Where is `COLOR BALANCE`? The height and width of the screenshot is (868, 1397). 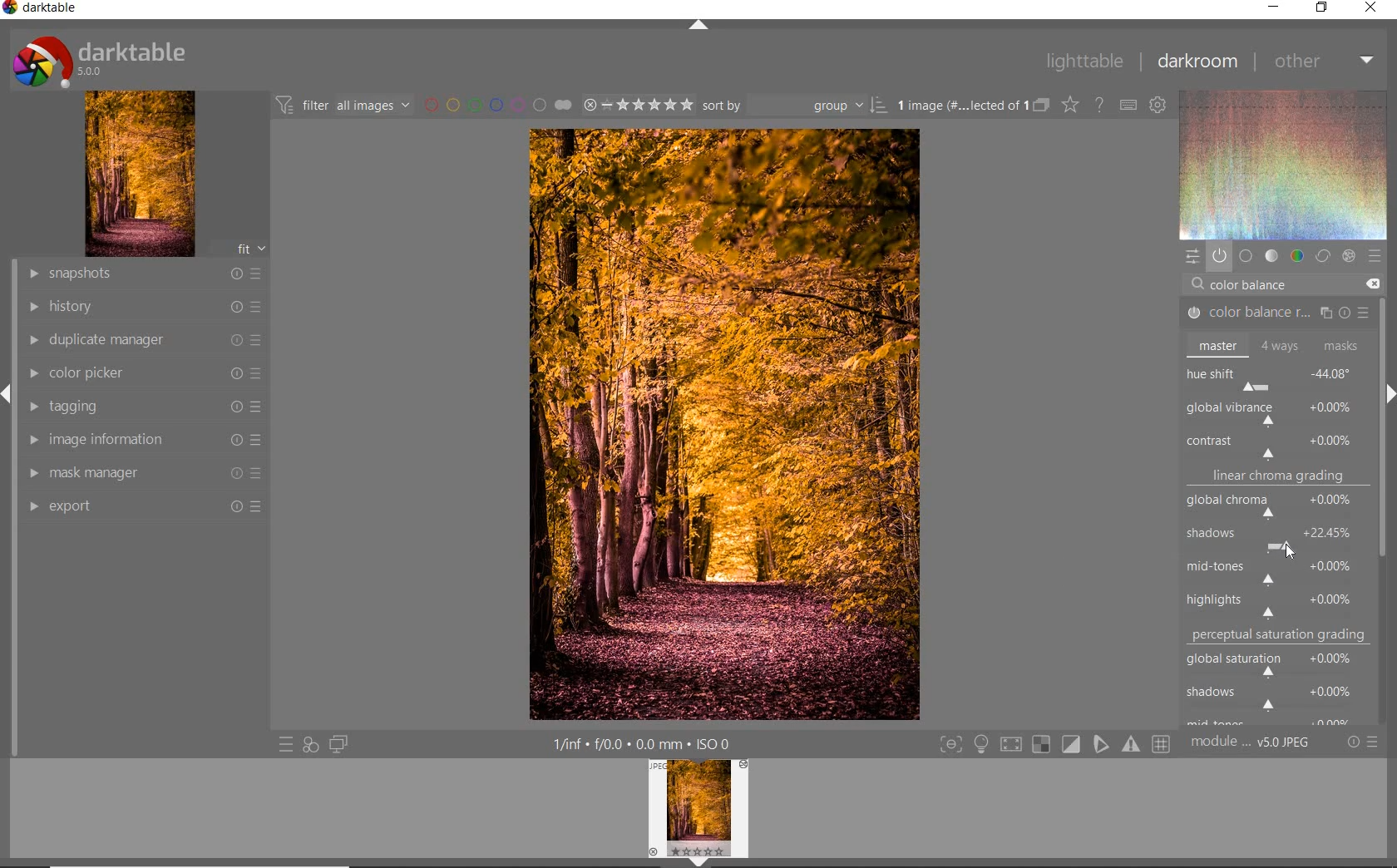
COLOR BALANCE is located at coordinates (1253, 285).